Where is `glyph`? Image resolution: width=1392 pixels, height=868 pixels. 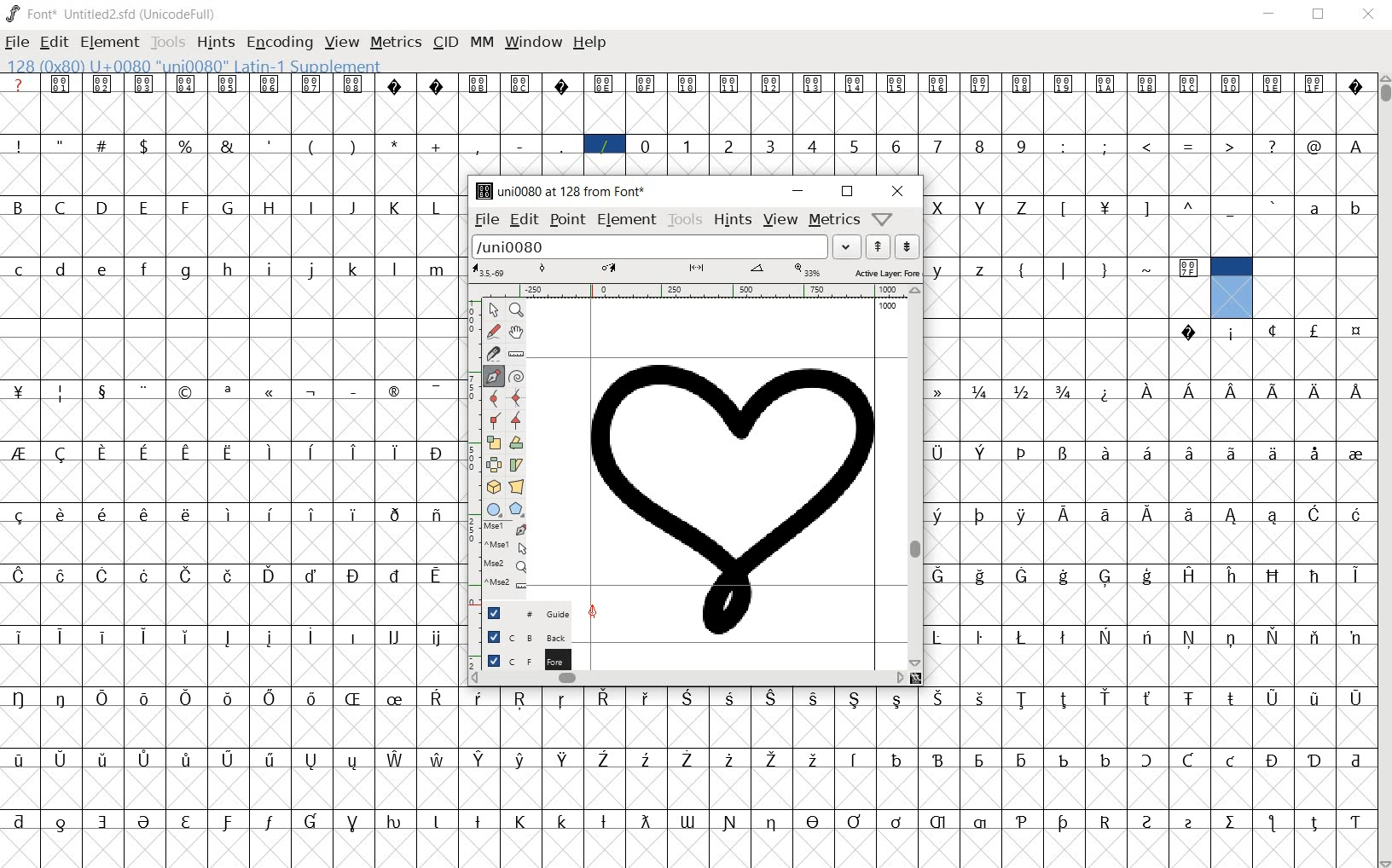 glyph is located at coordinates (1020, 272).